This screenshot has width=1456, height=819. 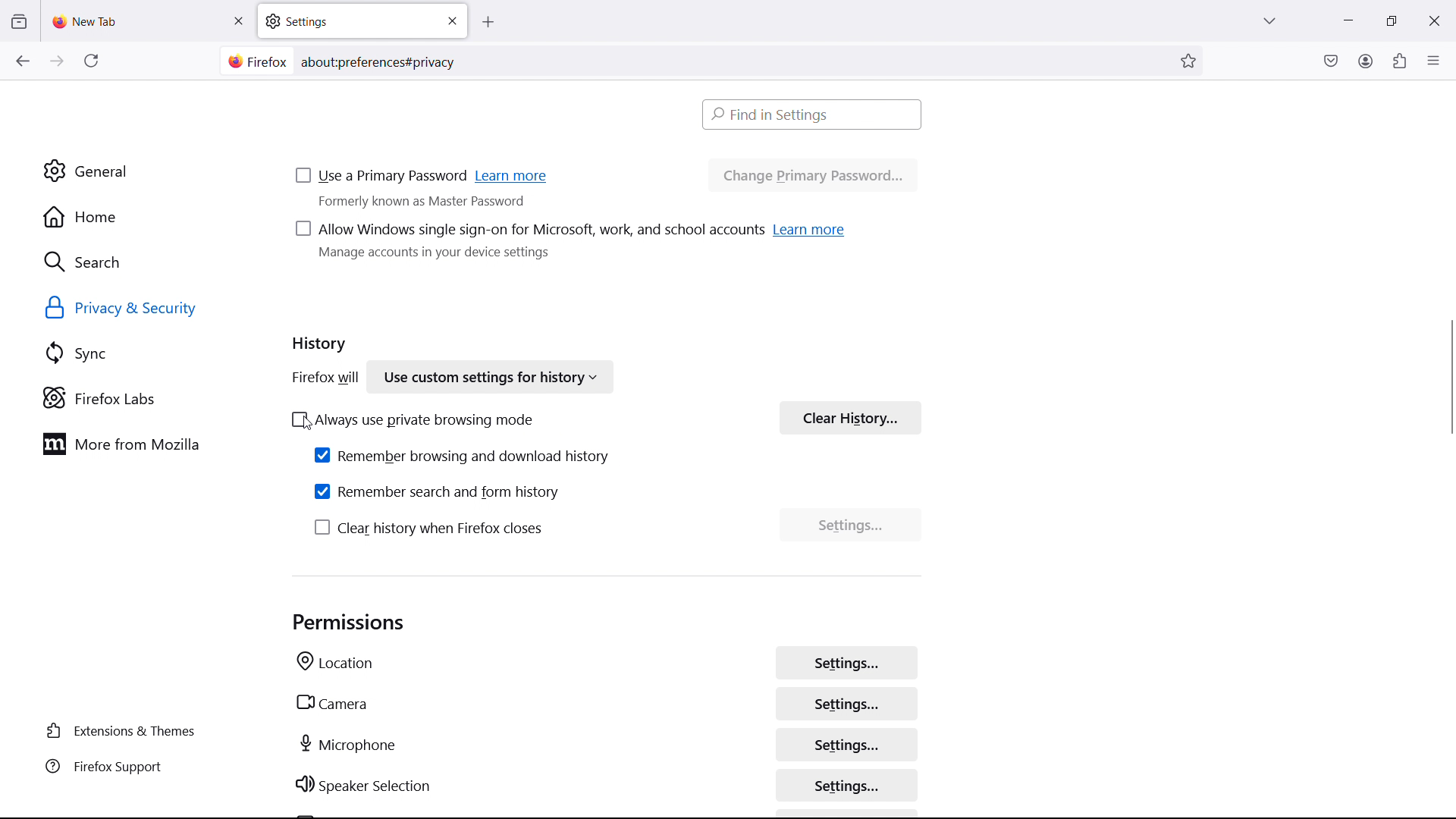 What do you see at coordinates (811, 229) in the screenshot?
I see `learn more about single sign-in` at bounding box center [811, 229].